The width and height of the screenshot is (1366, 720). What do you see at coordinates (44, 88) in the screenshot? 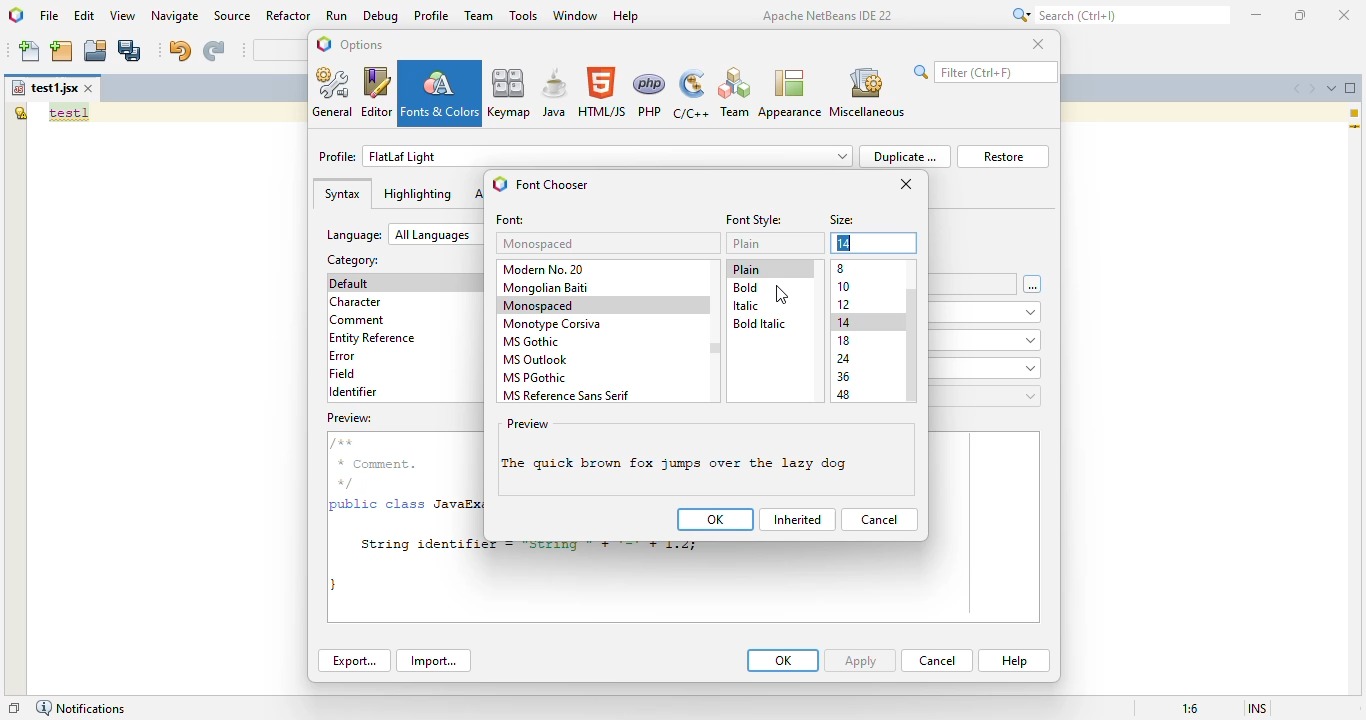
I see `file name` at bounding box center [44, 88].